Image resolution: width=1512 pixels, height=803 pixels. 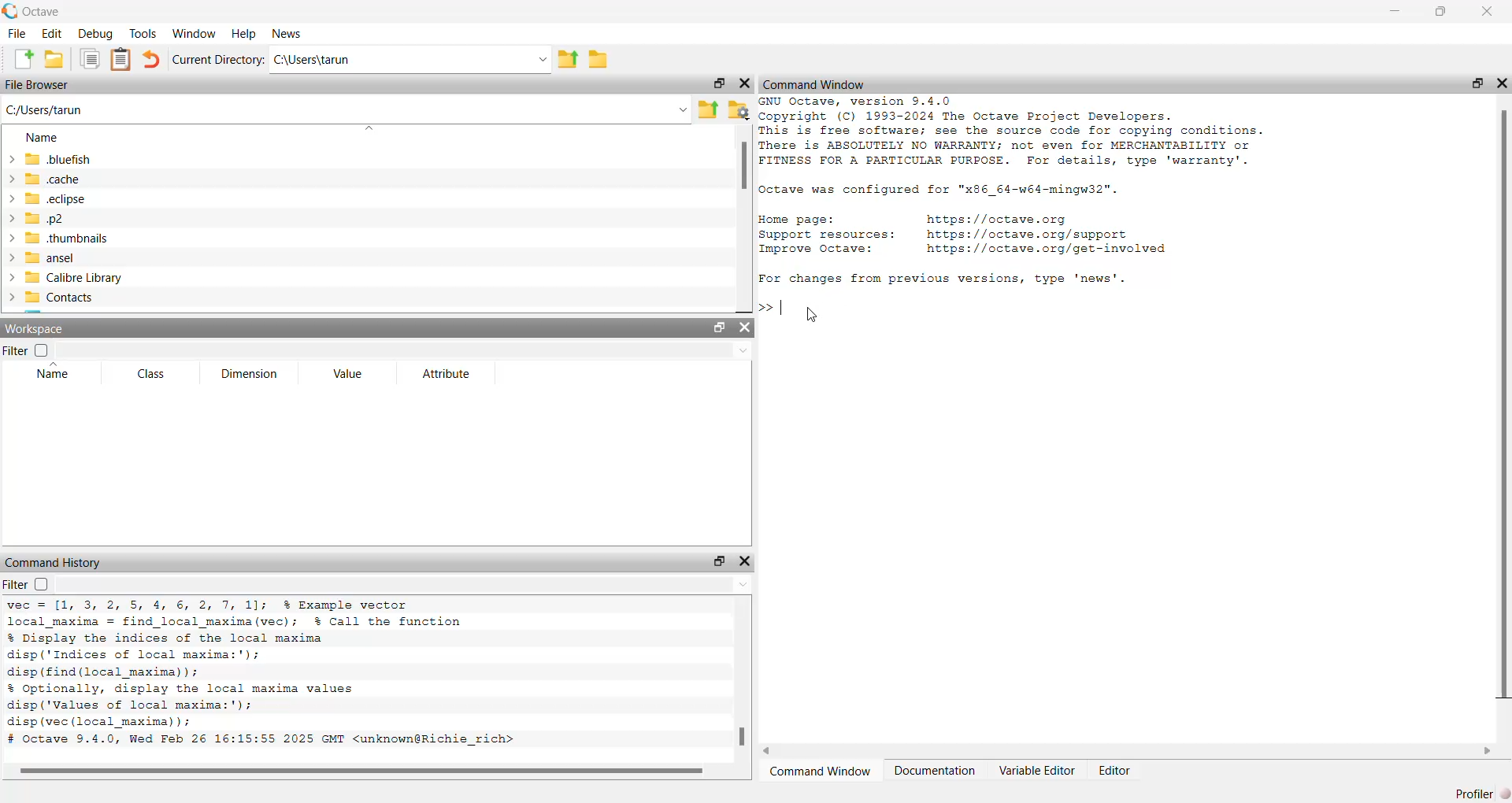 What do you see at coordinates (682, 109) in the screenshot?
I see `Enter the path or filename` at bounding box center [682, 109].